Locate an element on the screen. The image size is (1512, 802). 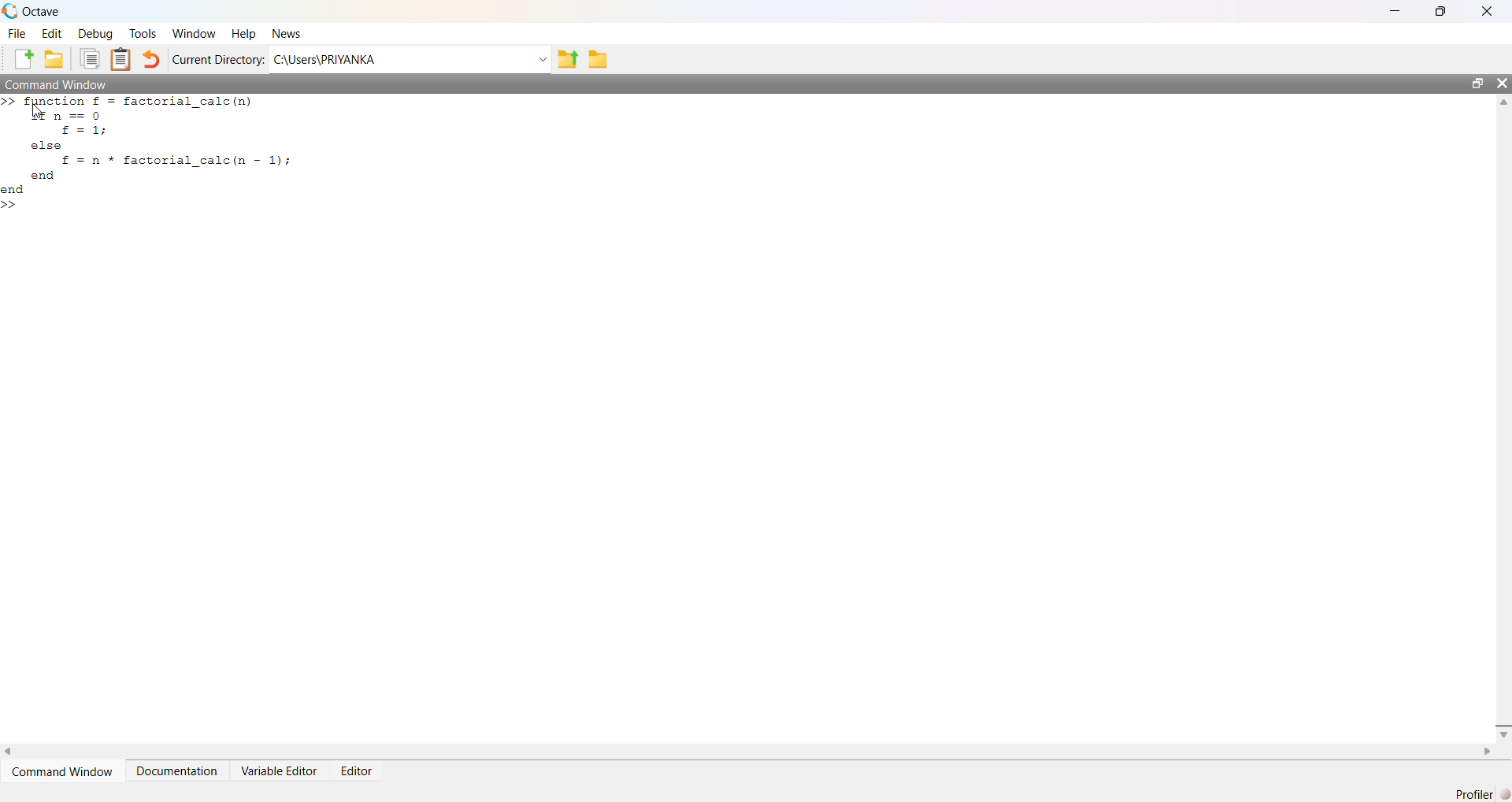
Variable Editor is located at coordinates (281, 770).